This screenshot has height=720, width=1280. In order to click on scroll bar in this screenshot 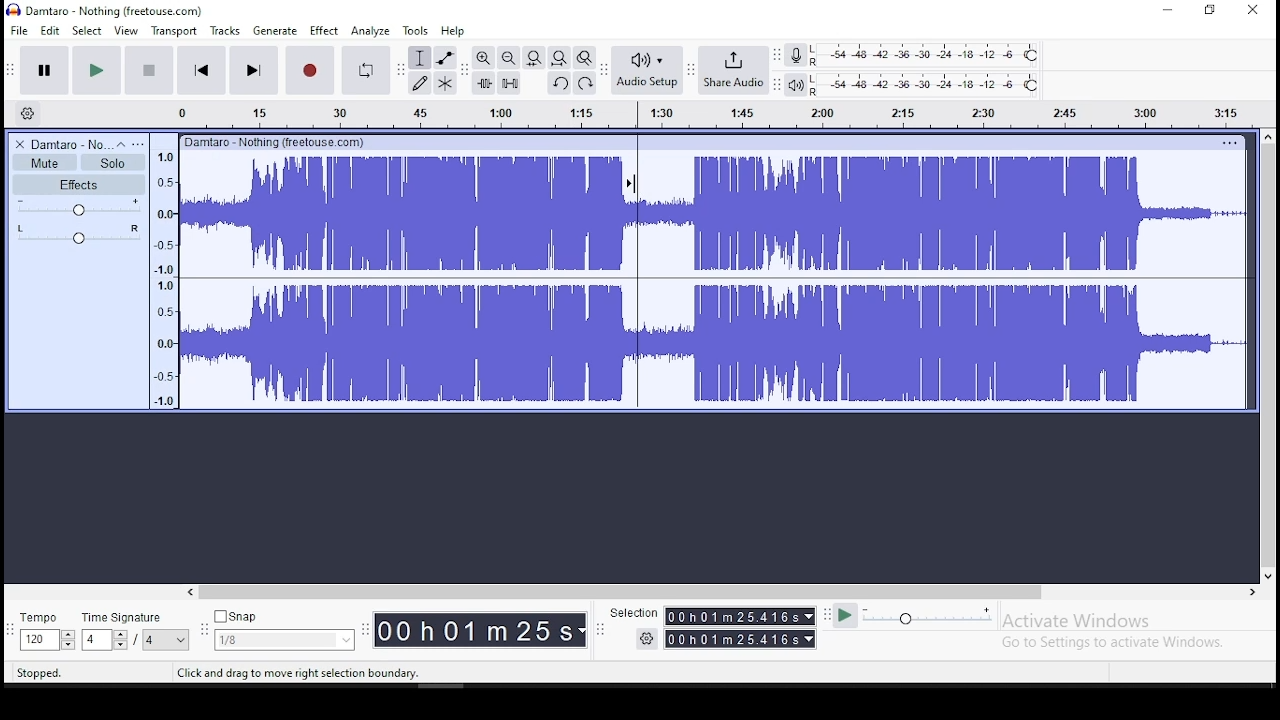, I will do `click(621, 591)`.